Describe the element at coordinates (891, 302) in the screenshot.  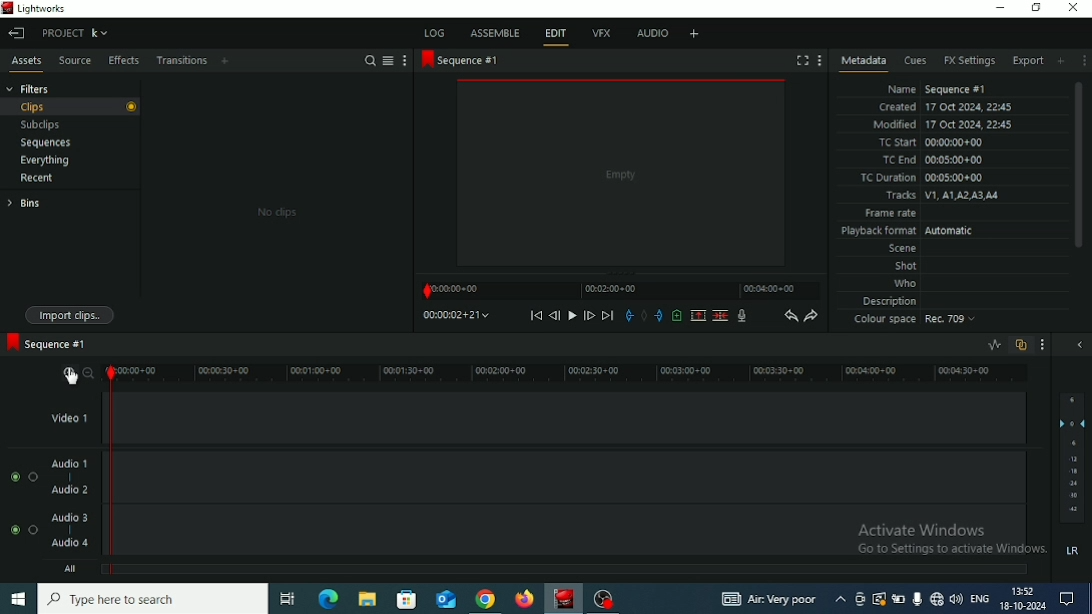
I see `Description` at that location.